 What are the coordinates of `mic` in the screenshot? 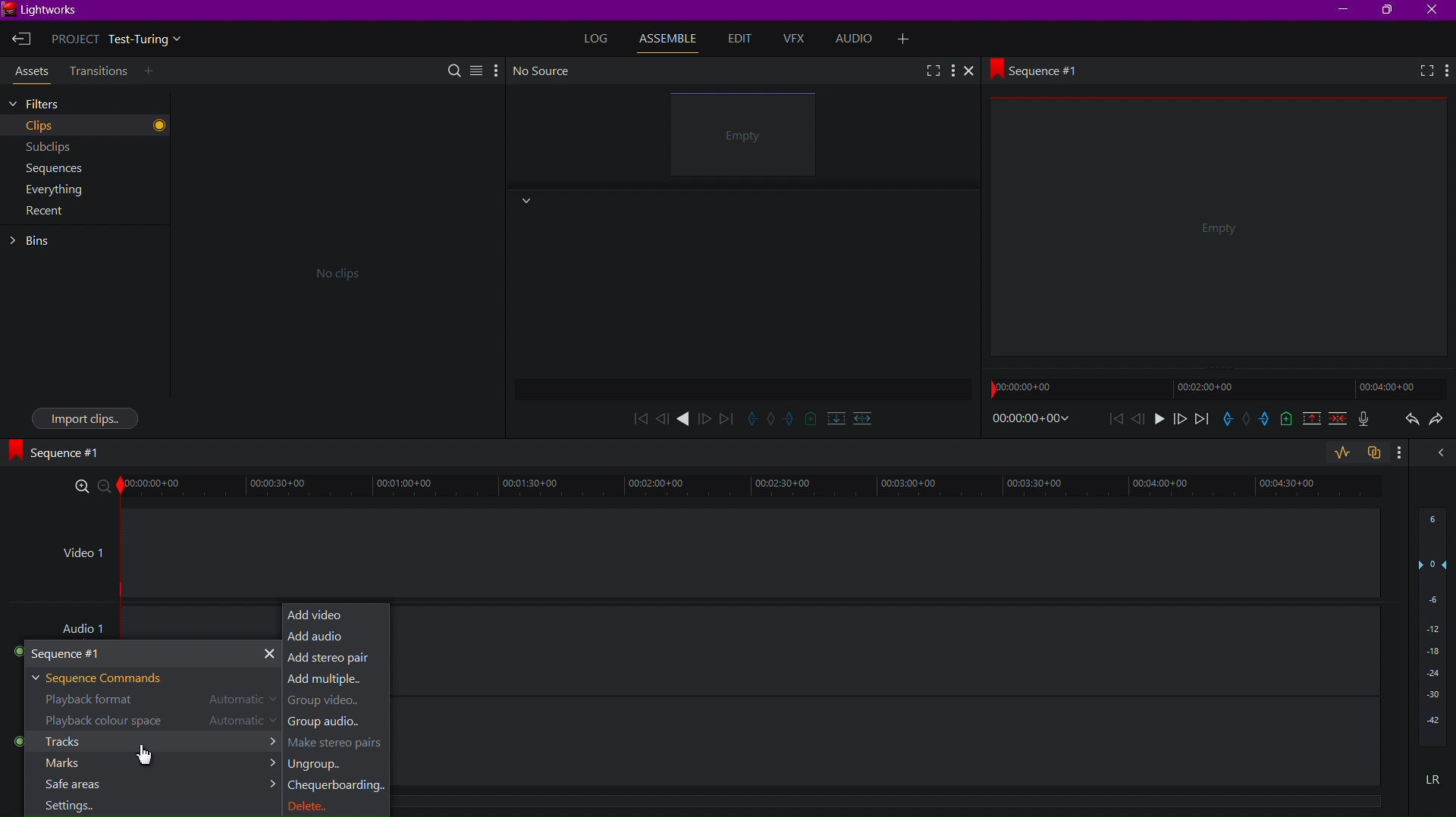 It's located at (1368, 421).